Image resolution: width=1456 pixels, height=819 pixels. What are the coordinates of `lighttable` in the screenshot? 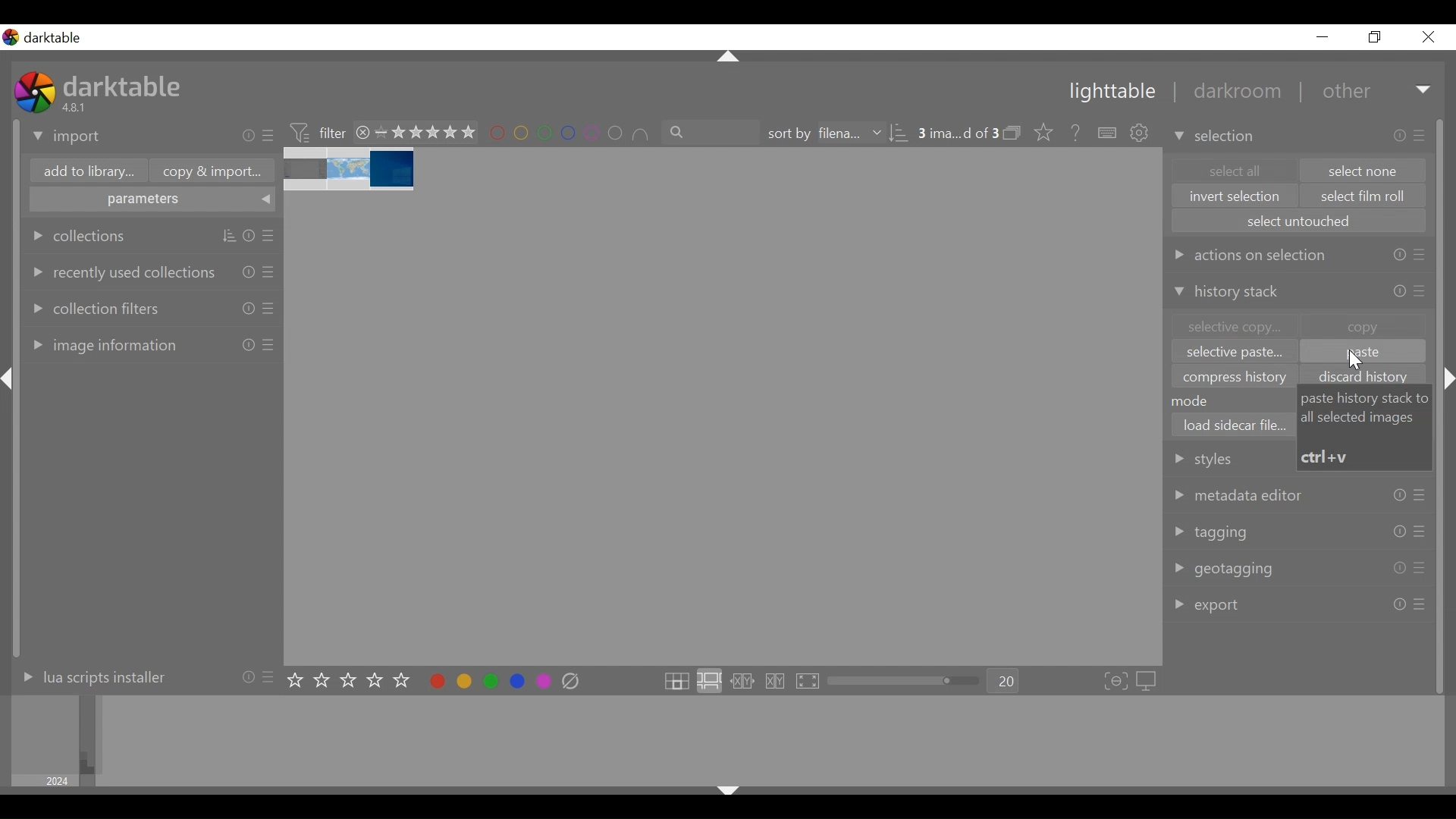 It's located at (1111, 93).